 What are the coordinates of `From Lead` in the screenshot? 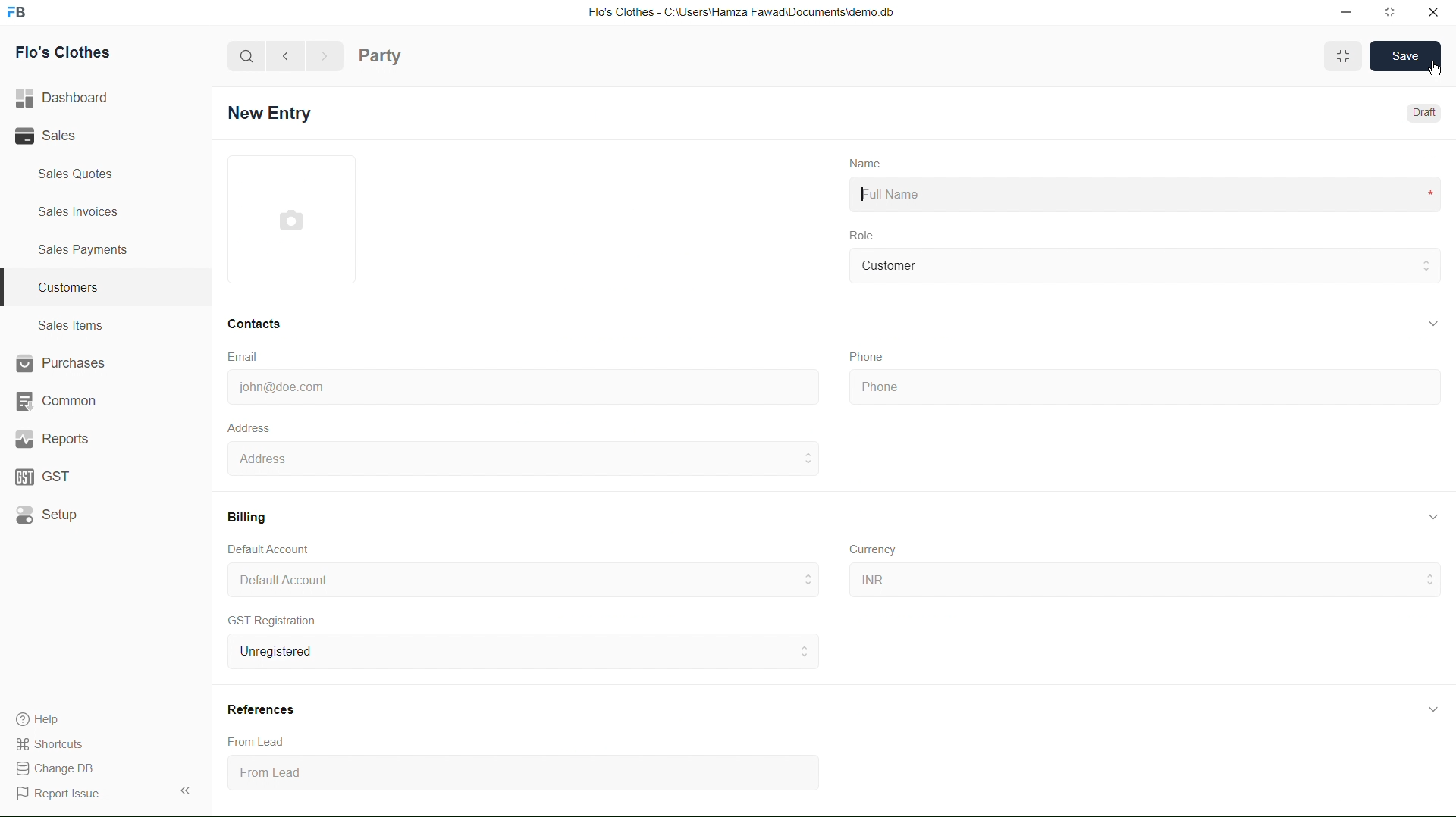 It's located at (261, 740).